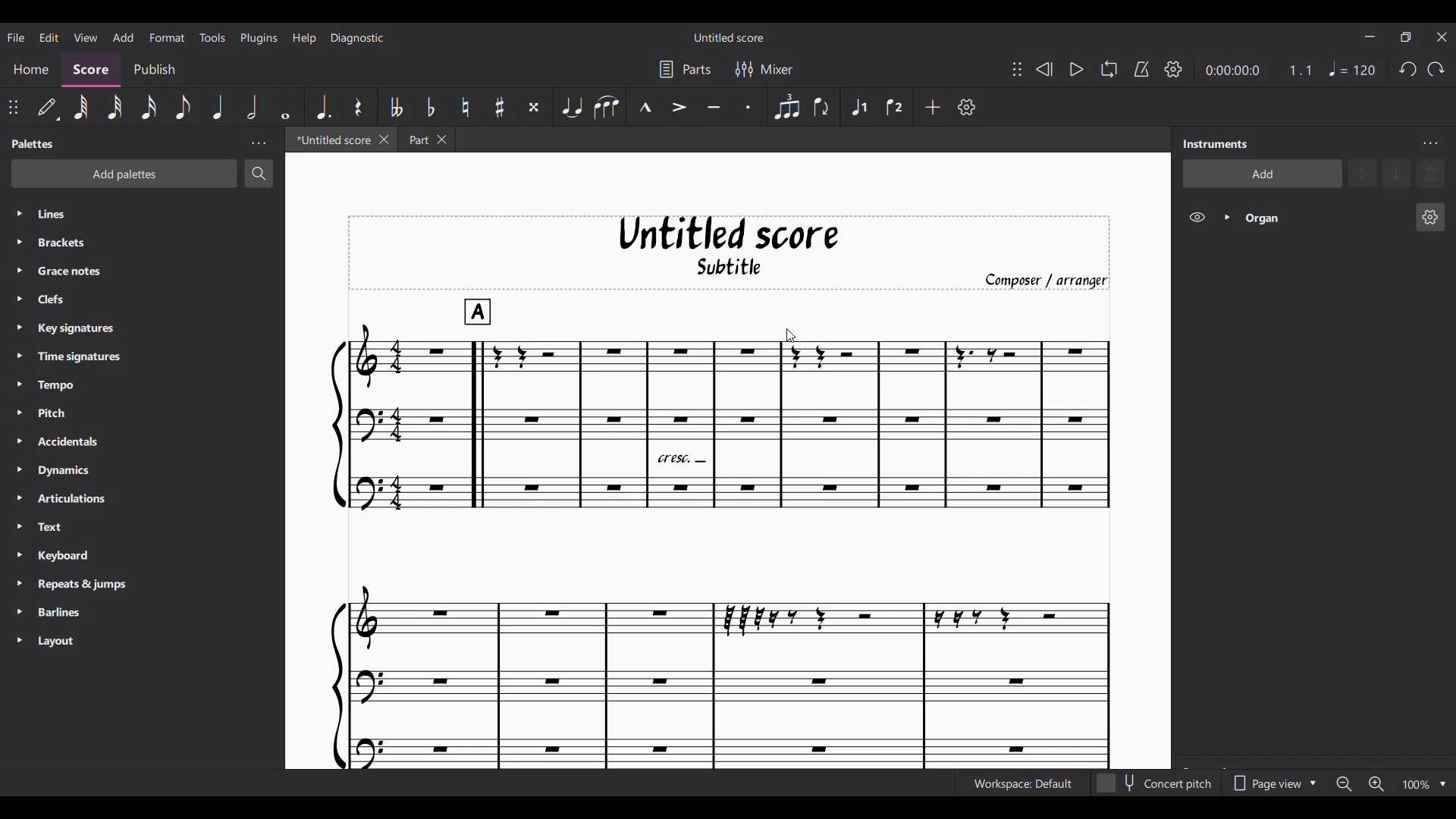  Describe the element at coordinates (966, 107) in the screenshot. I see `Customize toolbar` at that location.